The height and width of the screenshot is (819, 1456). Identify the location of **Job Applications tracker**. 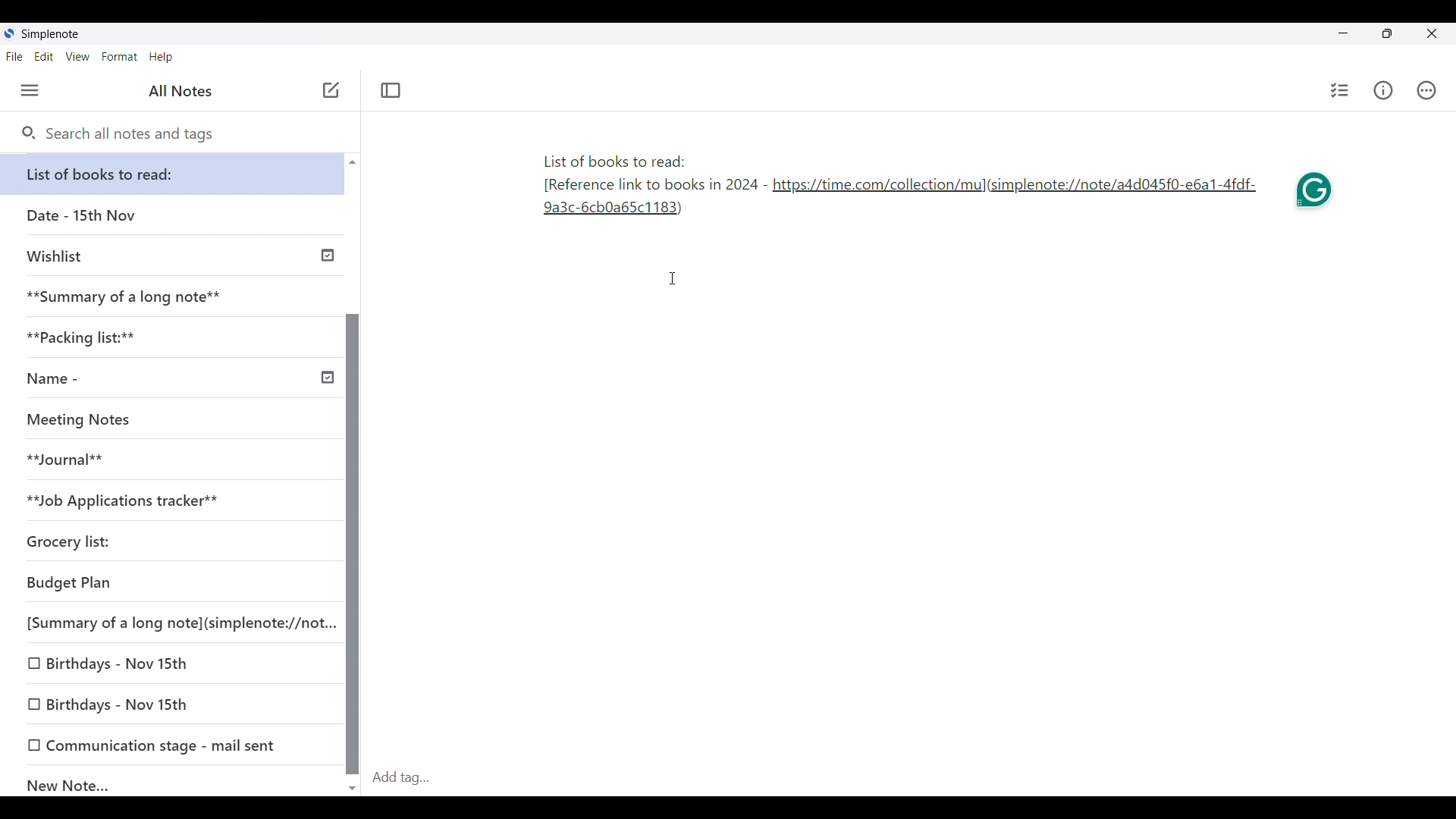
(167, 501).